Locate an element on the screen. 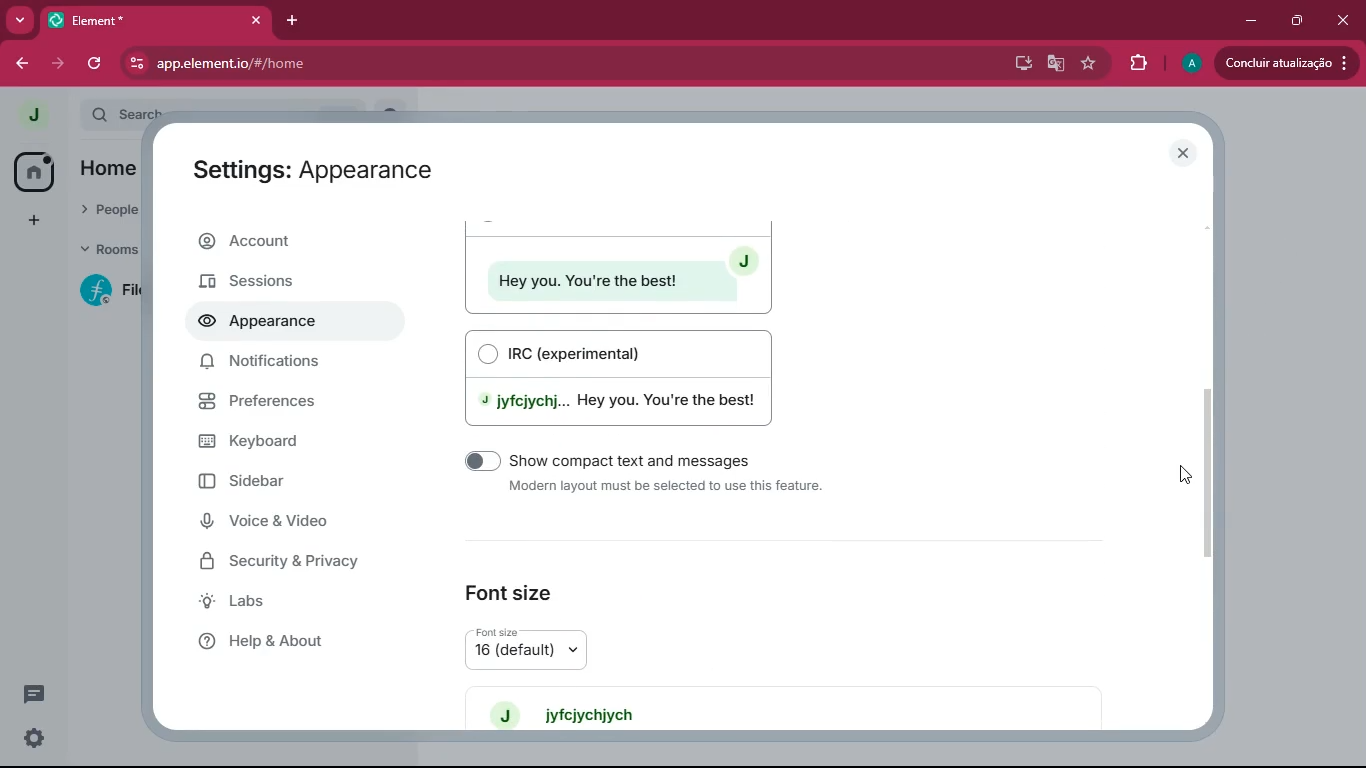  settings is located at coordinates (30, 739).